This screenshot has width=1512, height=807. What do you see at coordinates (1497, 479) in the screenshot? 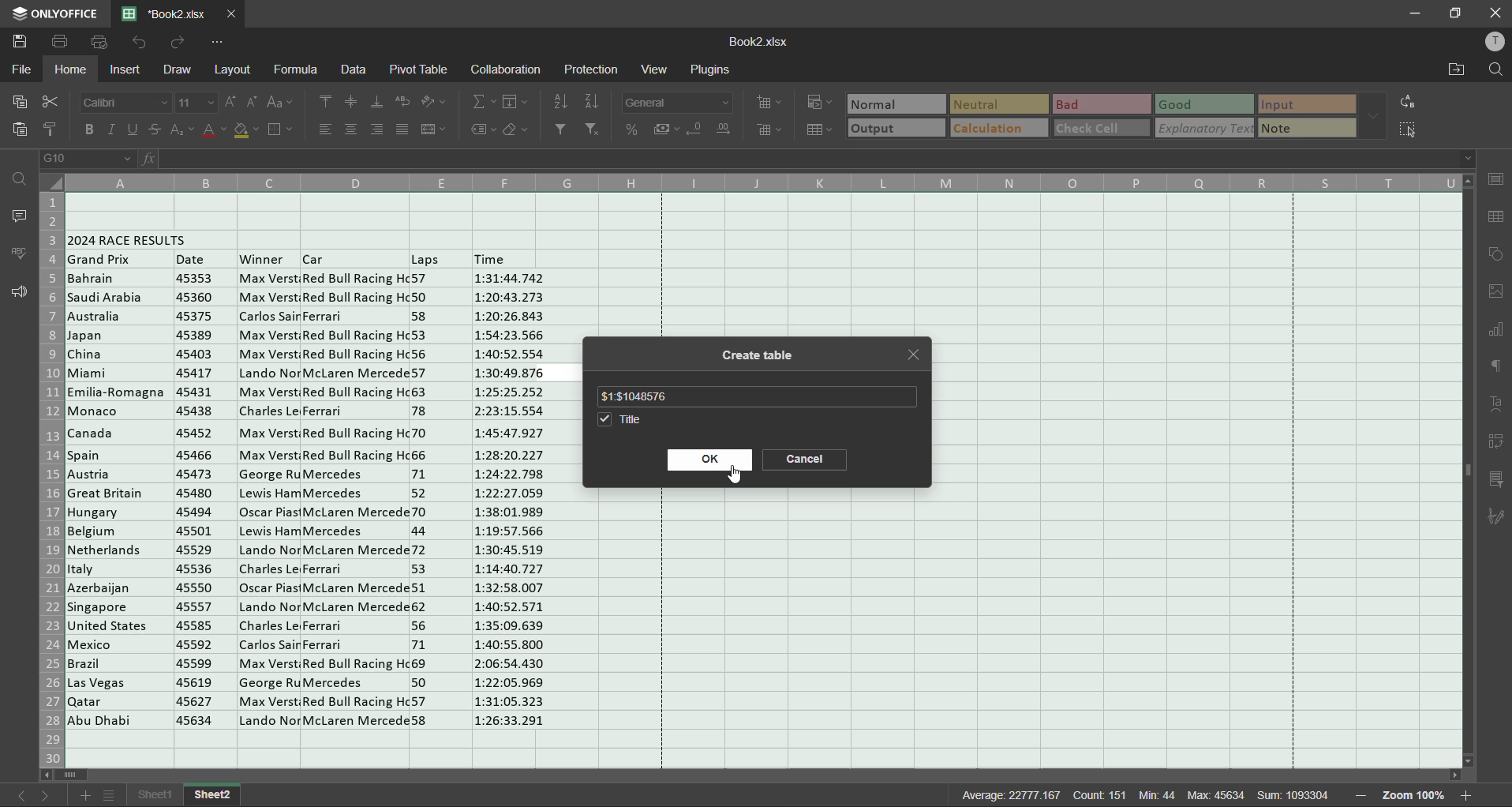
I see `slicer` at bounding box center [1497, 479].